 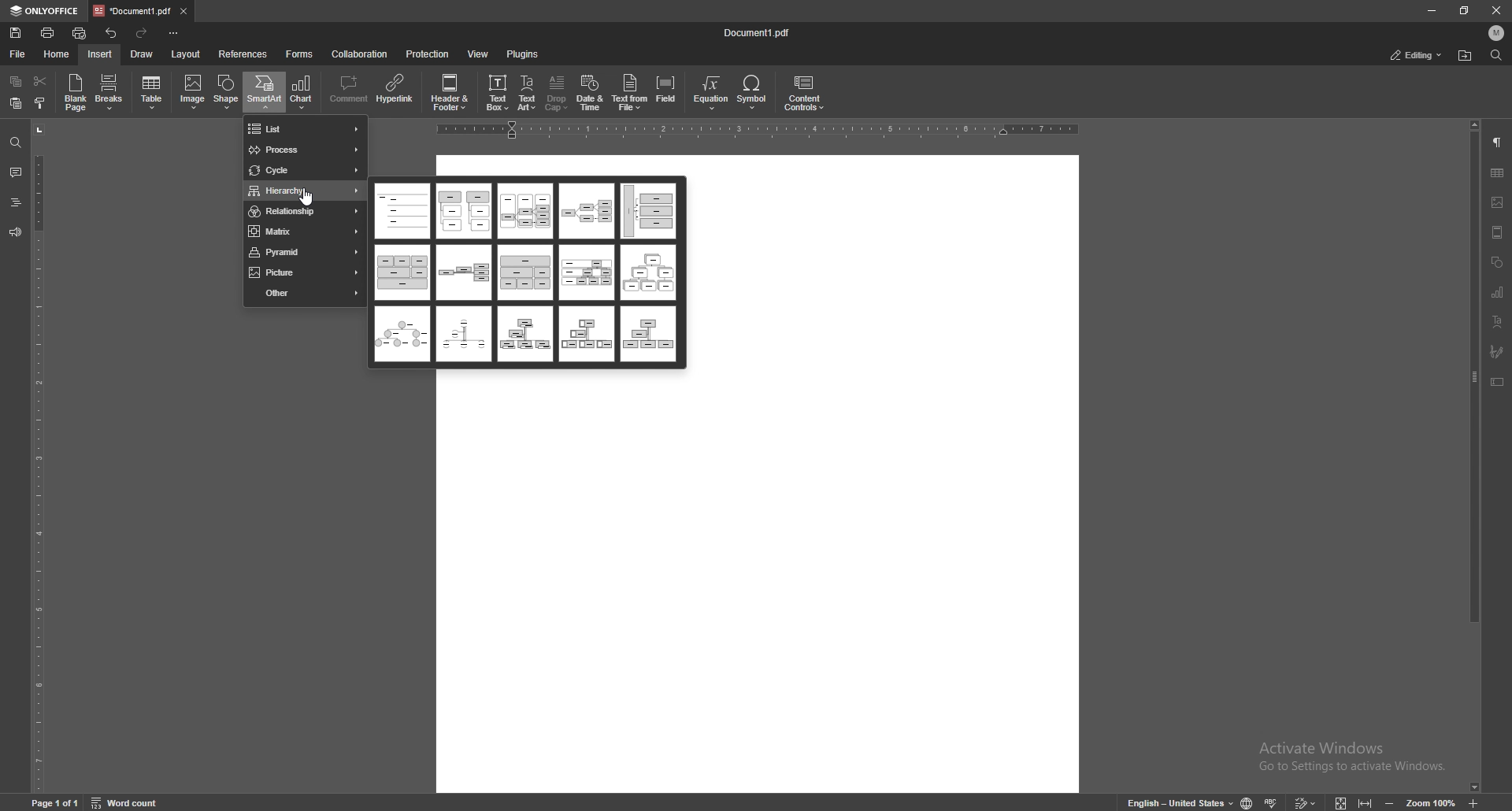 What do you see at coordinates (1498, 143) in the screenshot?
I see `paragraph` at bounding box center [1498, 143].